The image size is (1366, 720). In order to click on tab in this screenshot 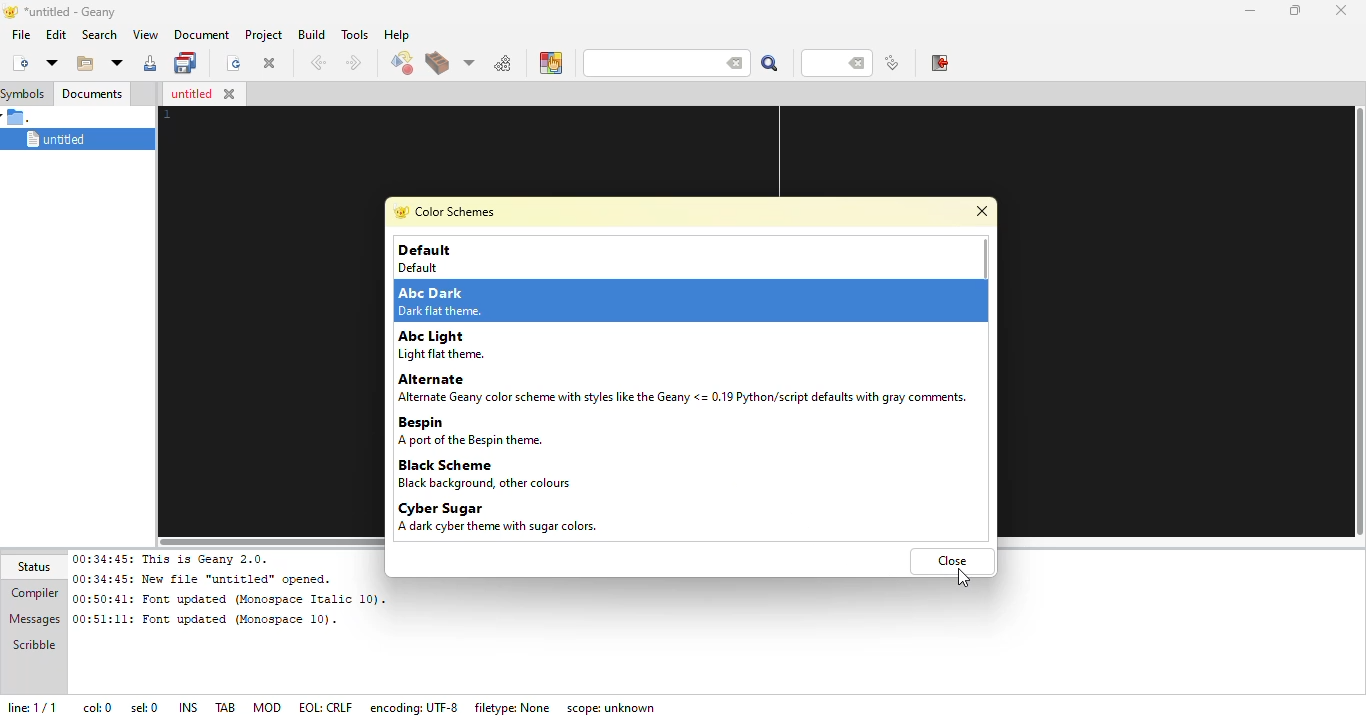, I will do `click(226, 707)`.